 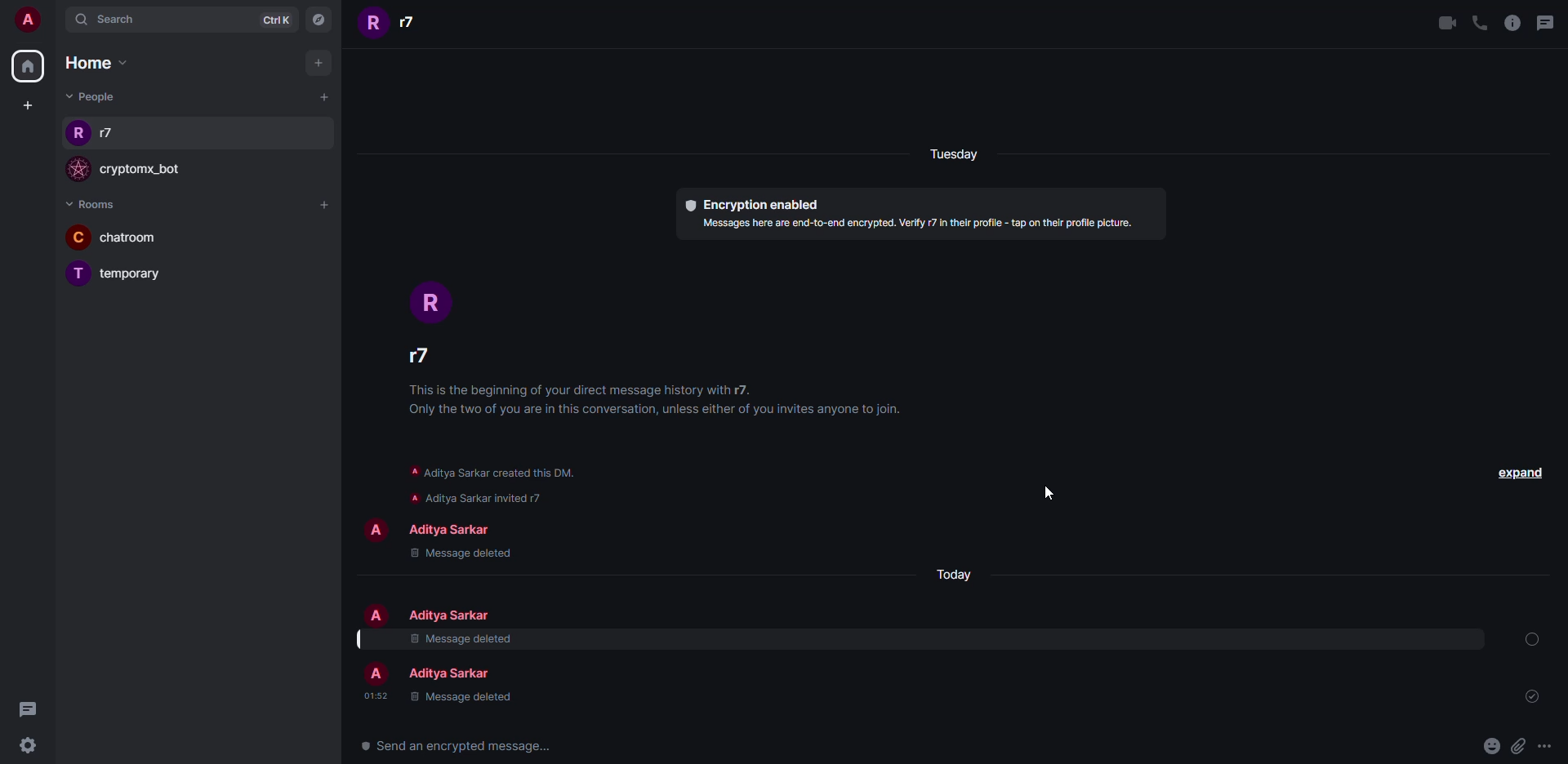 I want to click on people, so click(x=448, y=675).